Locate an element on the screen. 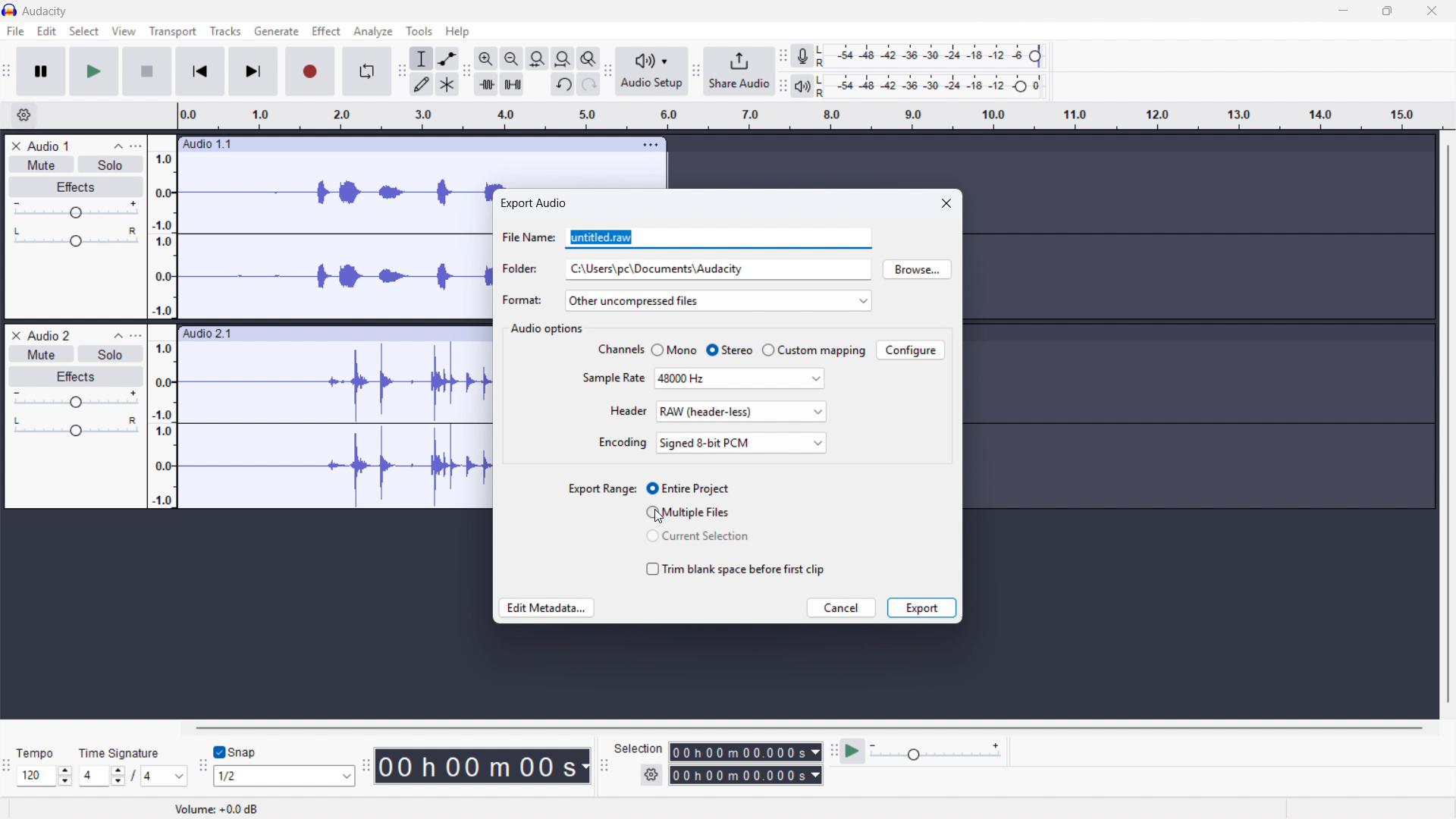 The image size is (1456, 819). Time toolbar is located at coordinates (368, 767).